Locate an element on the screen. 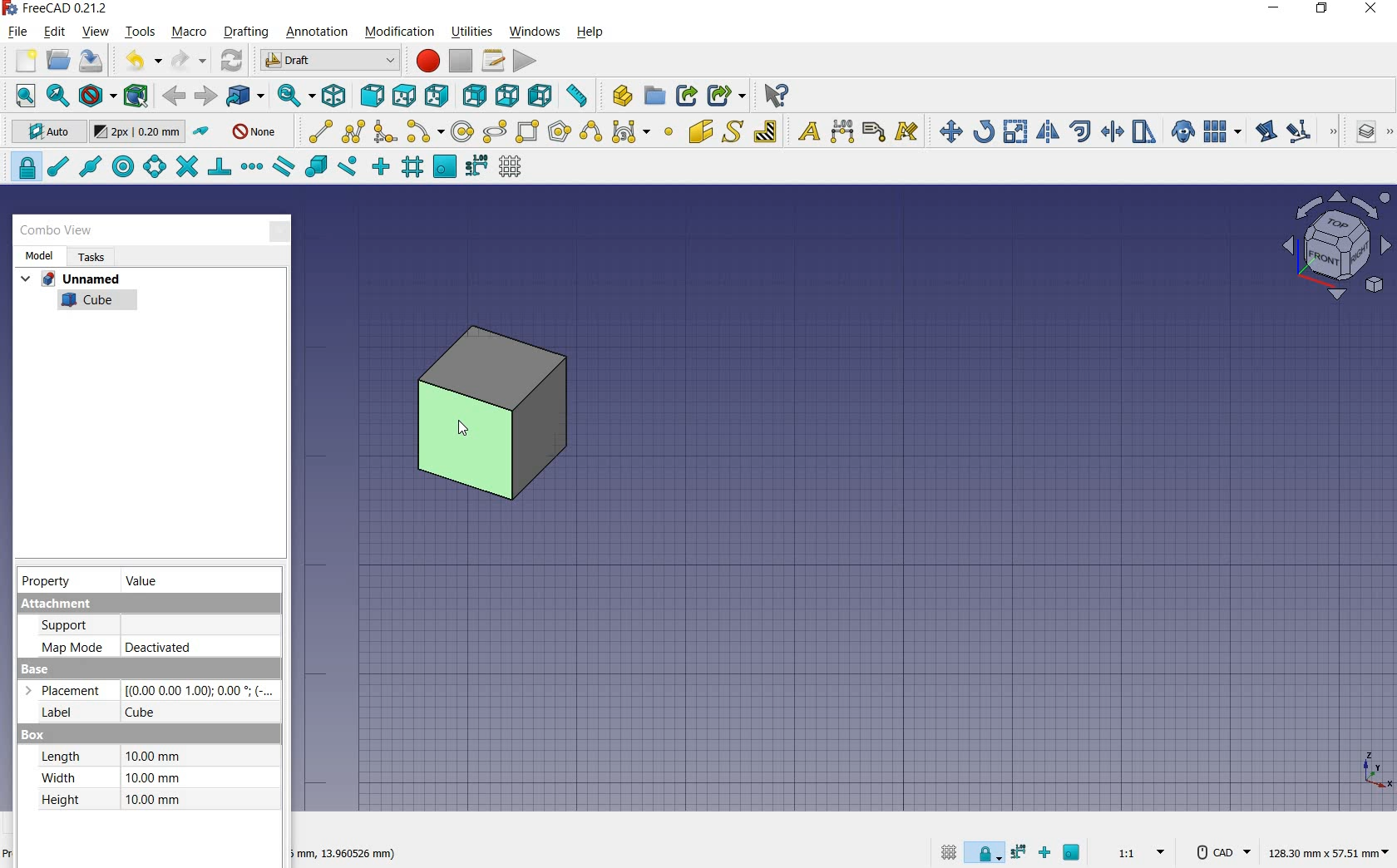 This screenshot has height=868, width=1397. left is located at coordinates (542, 96).